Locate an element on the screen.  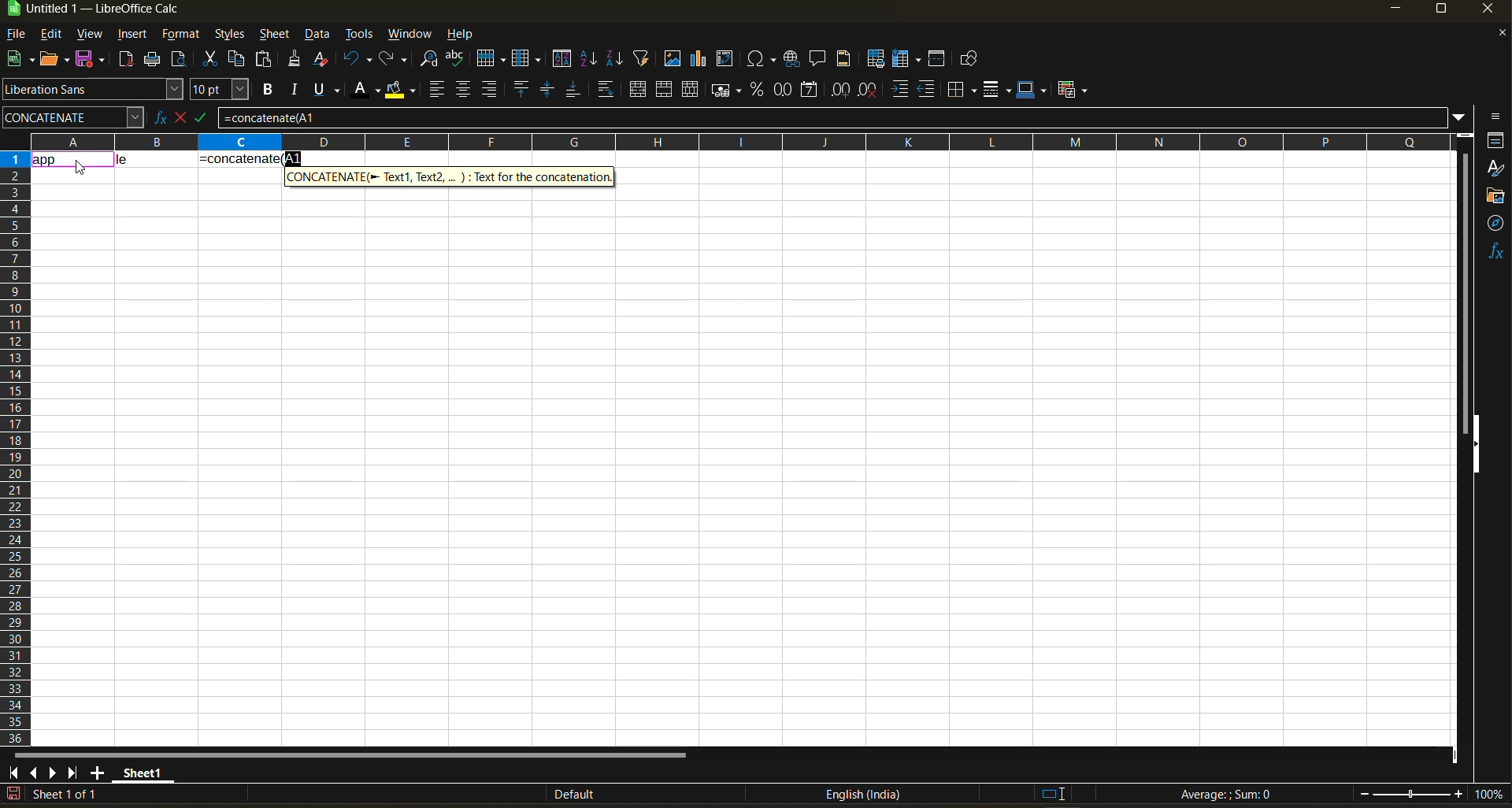
format as percent is located at coordinates (759, 90).